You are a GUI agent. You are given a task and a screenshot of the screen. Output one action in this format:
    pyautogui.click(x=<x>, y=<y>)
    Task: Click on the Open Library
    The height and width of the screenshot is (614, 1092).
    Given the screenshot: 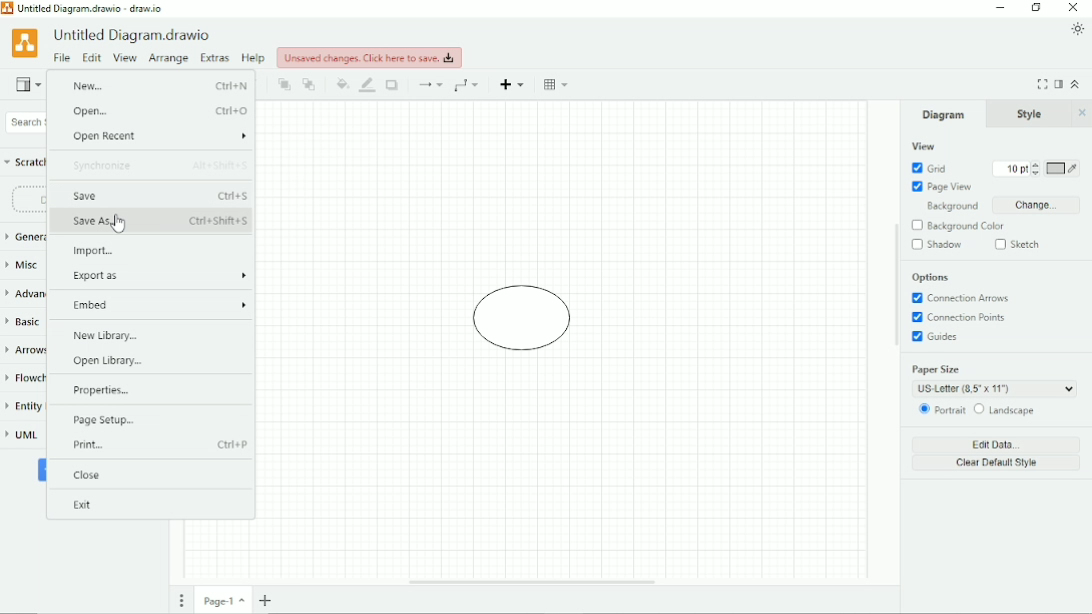 What is the action you would take?
    pyautogui.click(x=111, y=363)
    